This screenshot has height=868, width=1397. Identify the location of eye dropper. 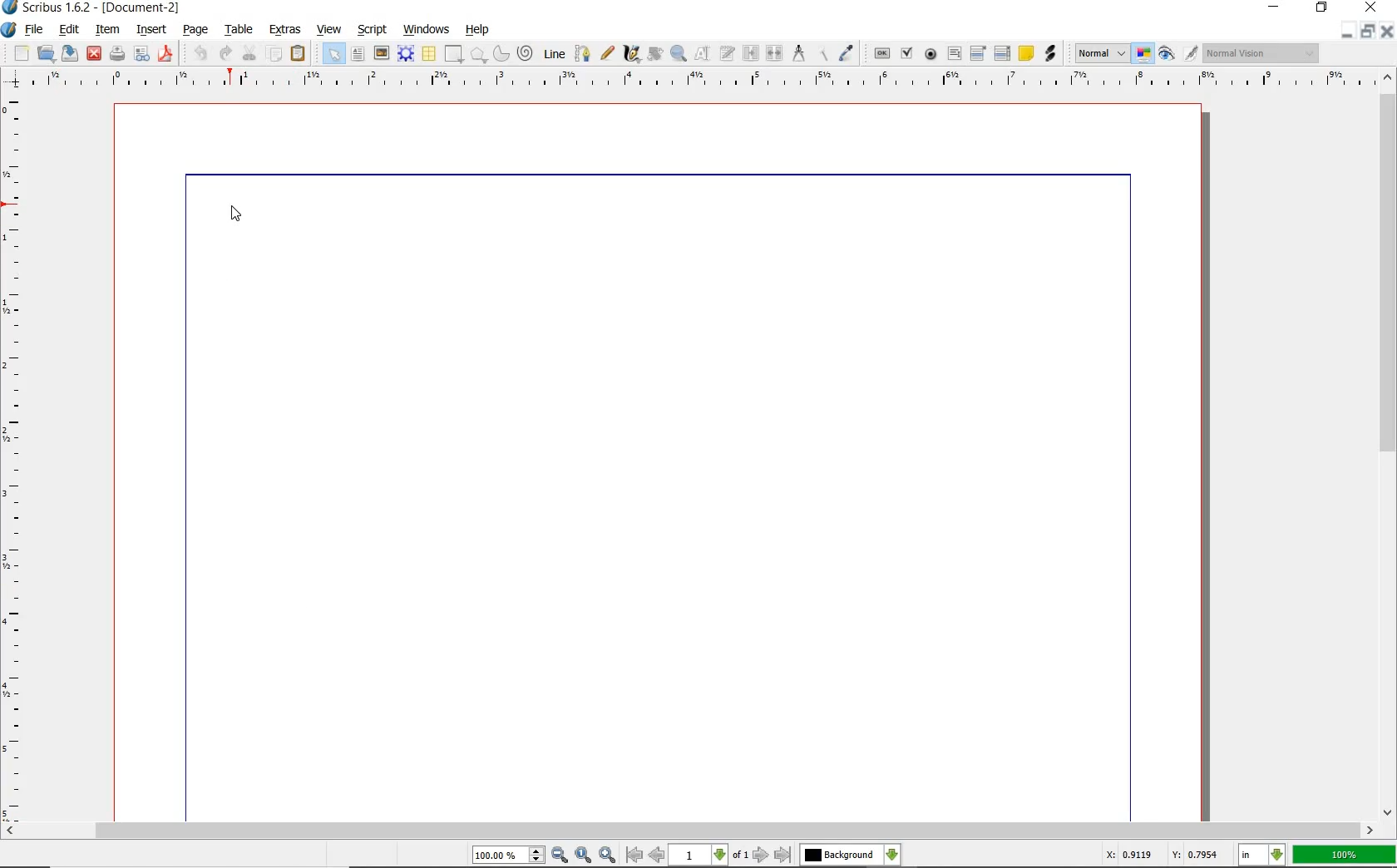
(846, 52).